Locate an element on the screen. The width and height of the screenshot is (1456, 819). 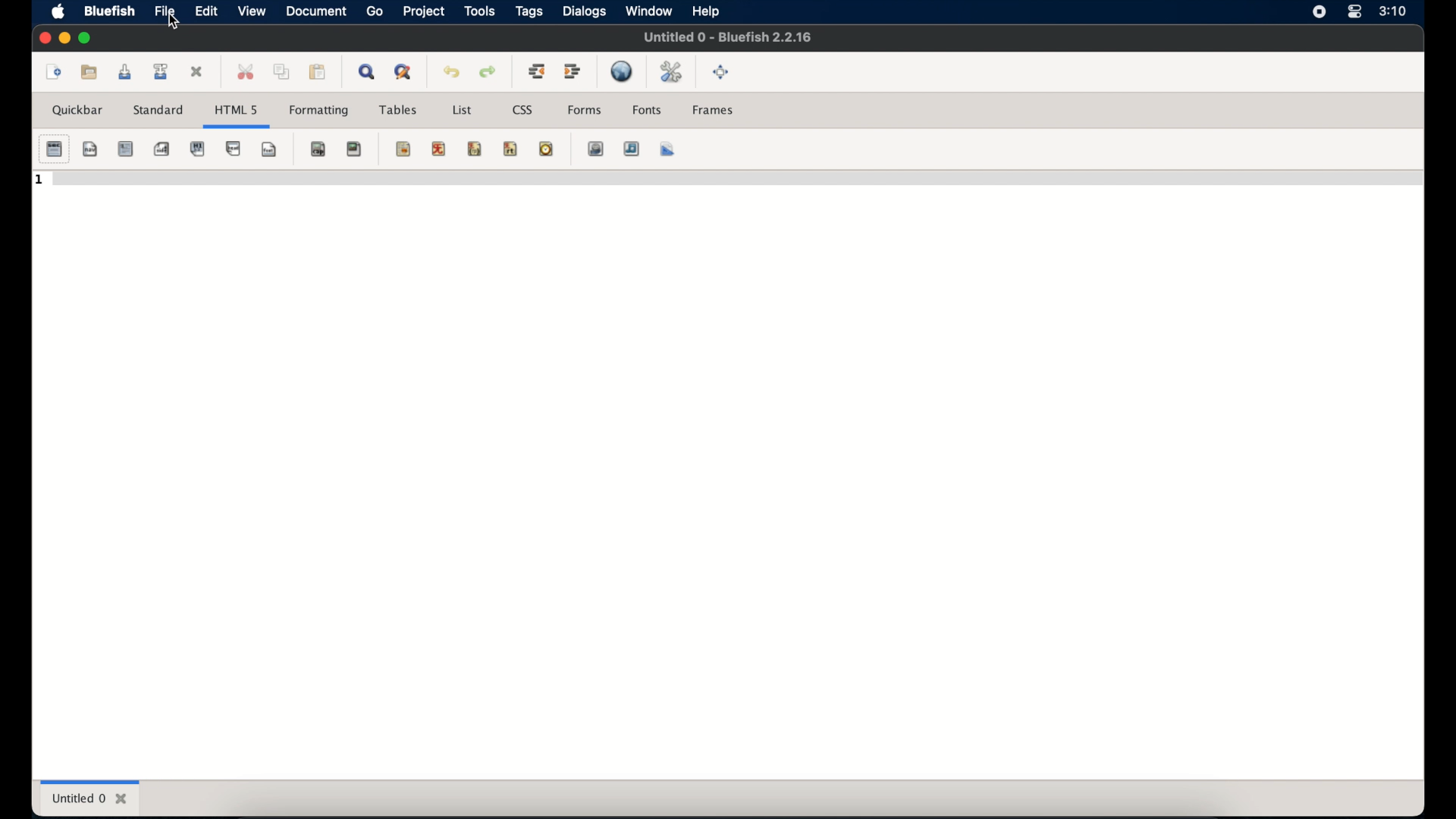
footer is located at coordinates (268, 149).